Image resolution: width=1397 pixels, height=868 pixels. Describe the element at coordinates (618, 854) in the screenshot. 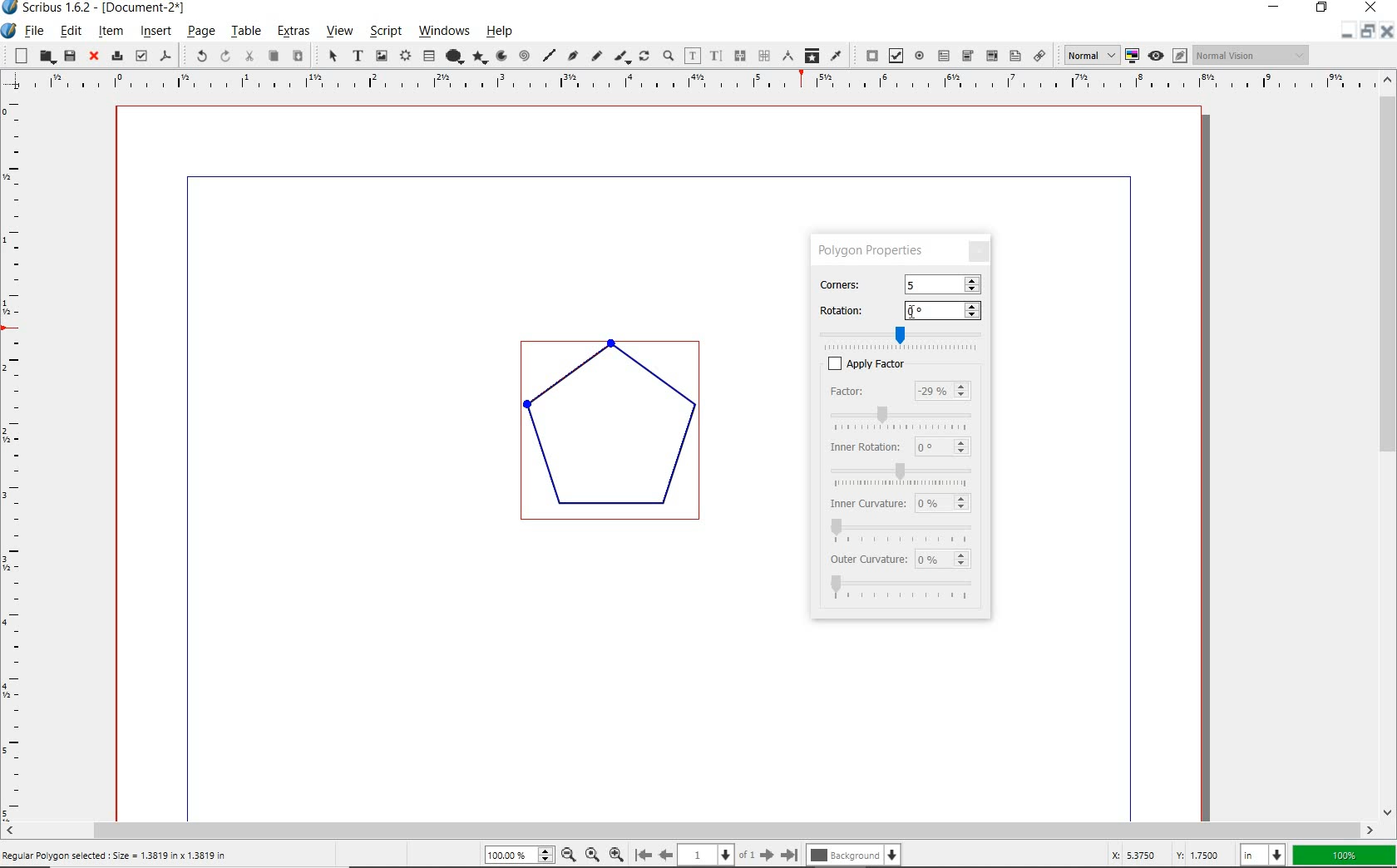

I see `Zoom In` at that location.